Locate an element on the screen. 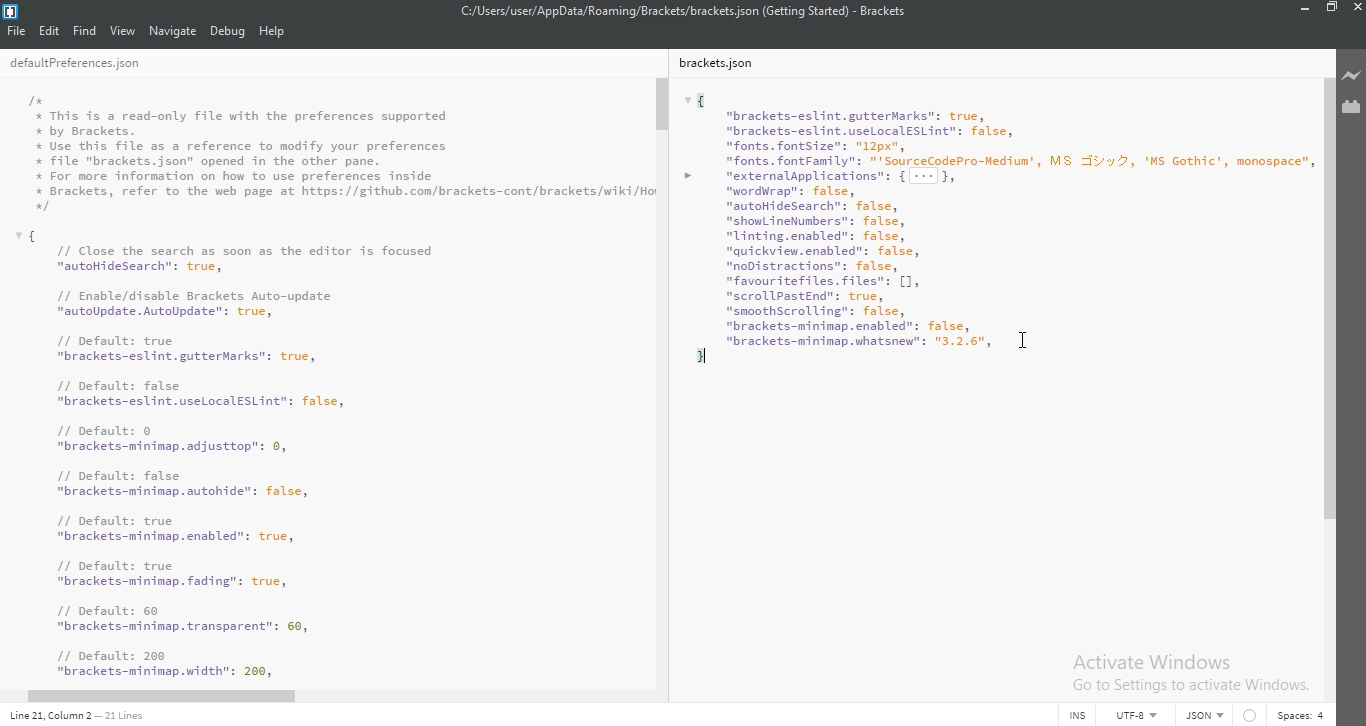 The image size is (1366, 726). scroll bar is located at coordinates (174, 697).